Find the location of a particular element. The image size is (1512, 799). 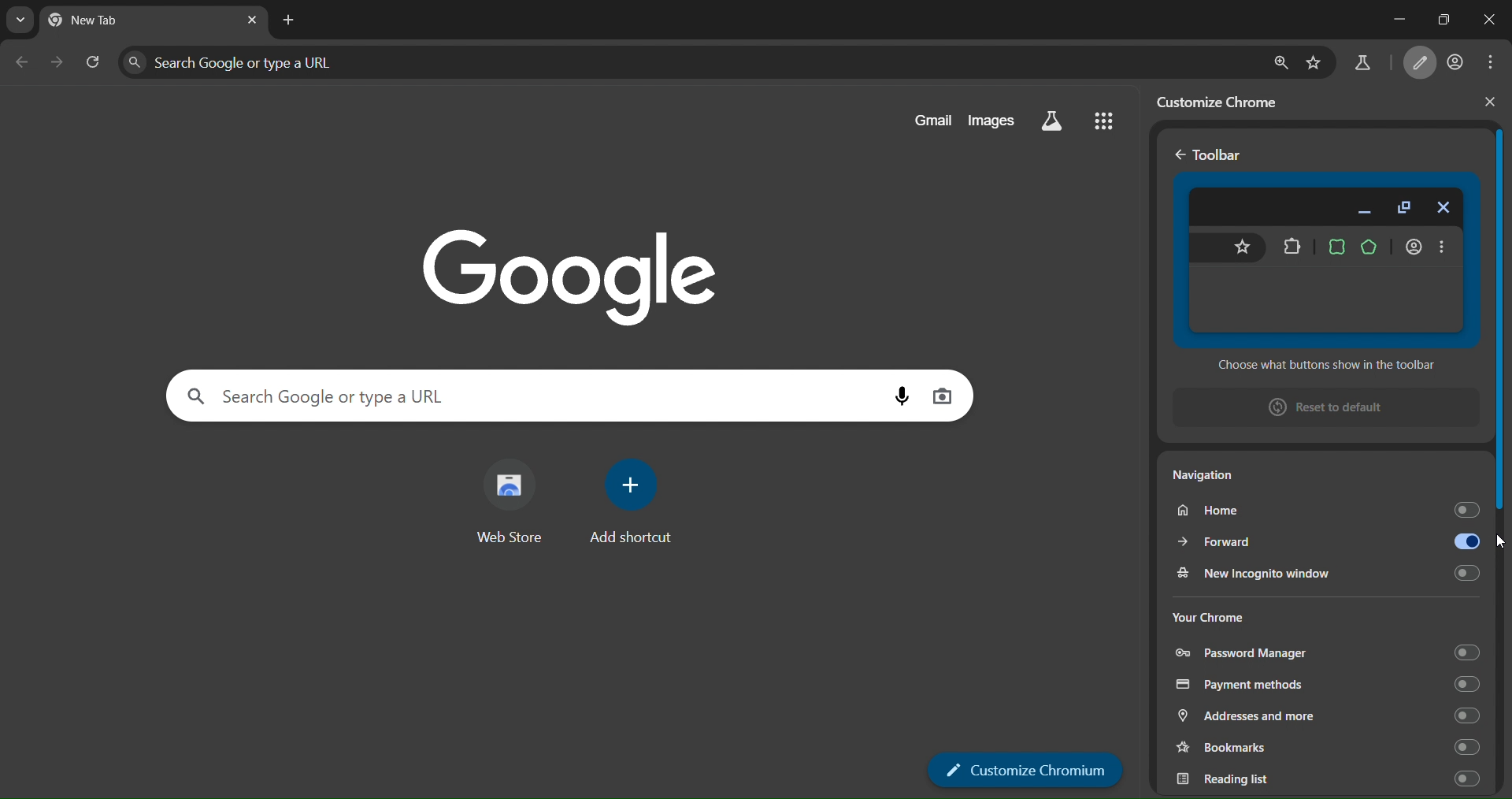

restore down is located at coordinates (1440, 17).